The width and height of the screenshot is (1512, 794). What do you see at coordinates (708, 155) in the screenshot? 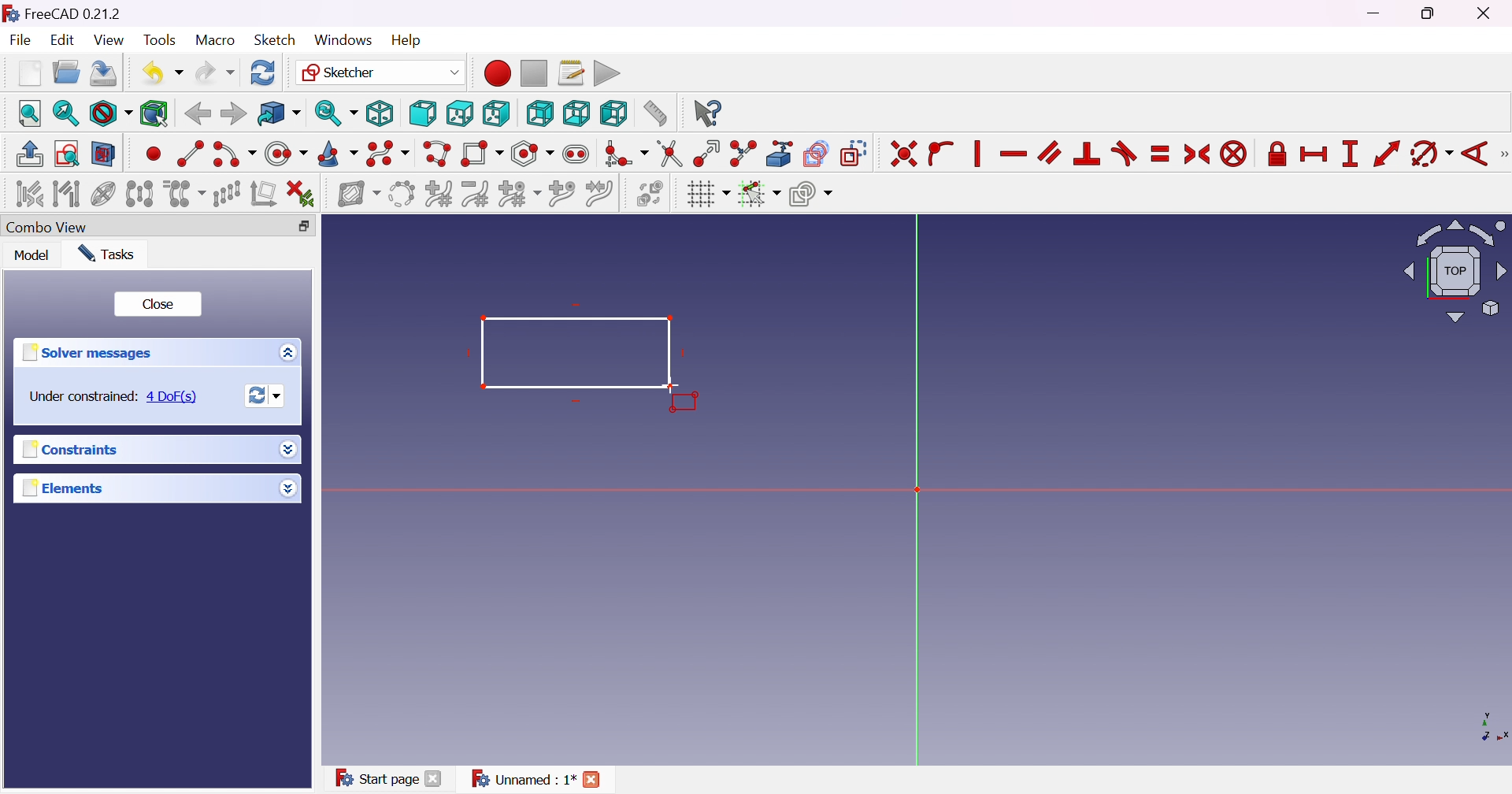
I see `Extend edge` at bounding box center [708, 155].